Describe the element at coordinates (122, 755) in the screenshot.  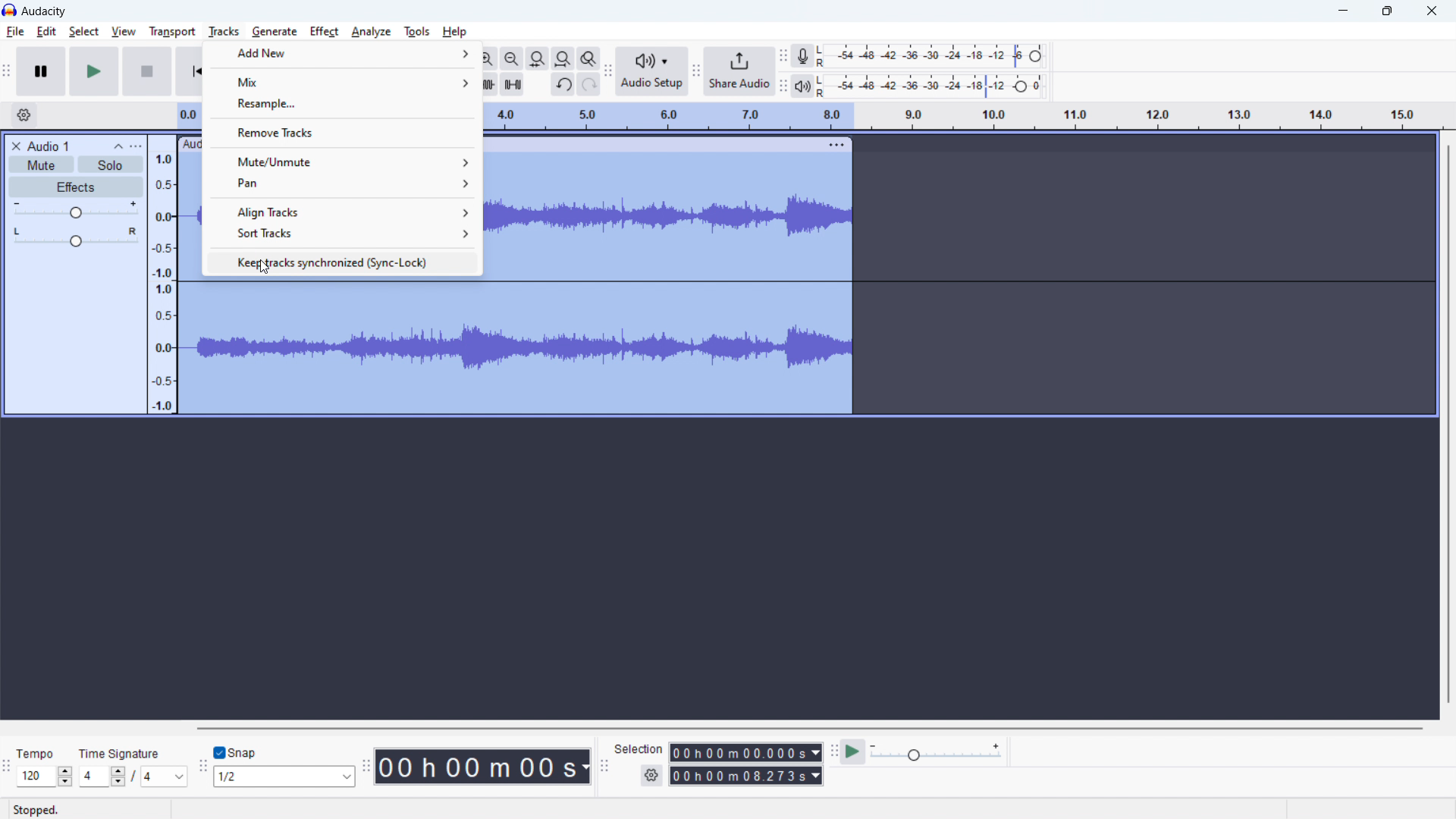
I see `TIme signature` at that location.